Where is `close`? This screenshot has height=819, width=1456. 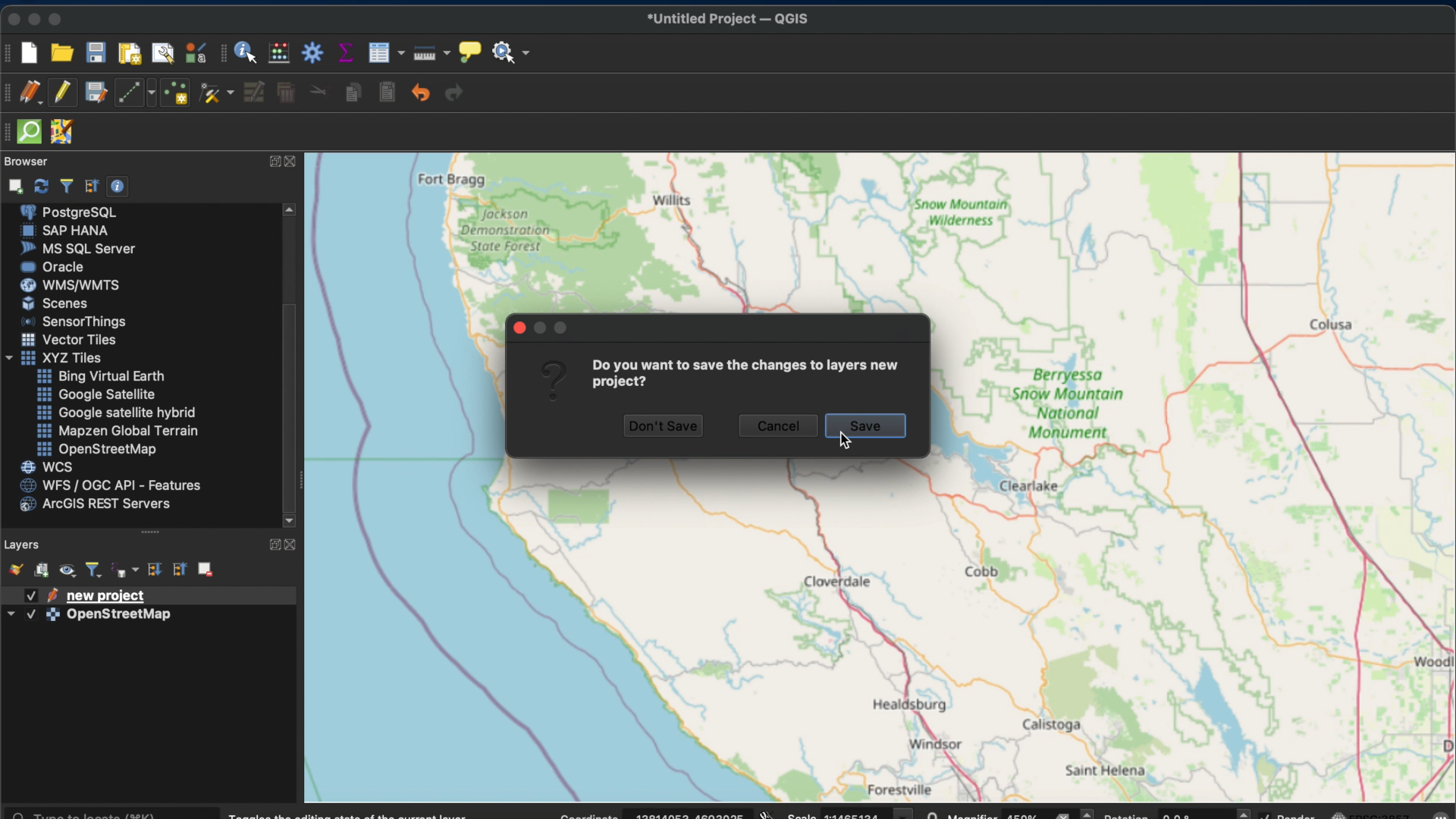
close is located at coordinates (11, 17).